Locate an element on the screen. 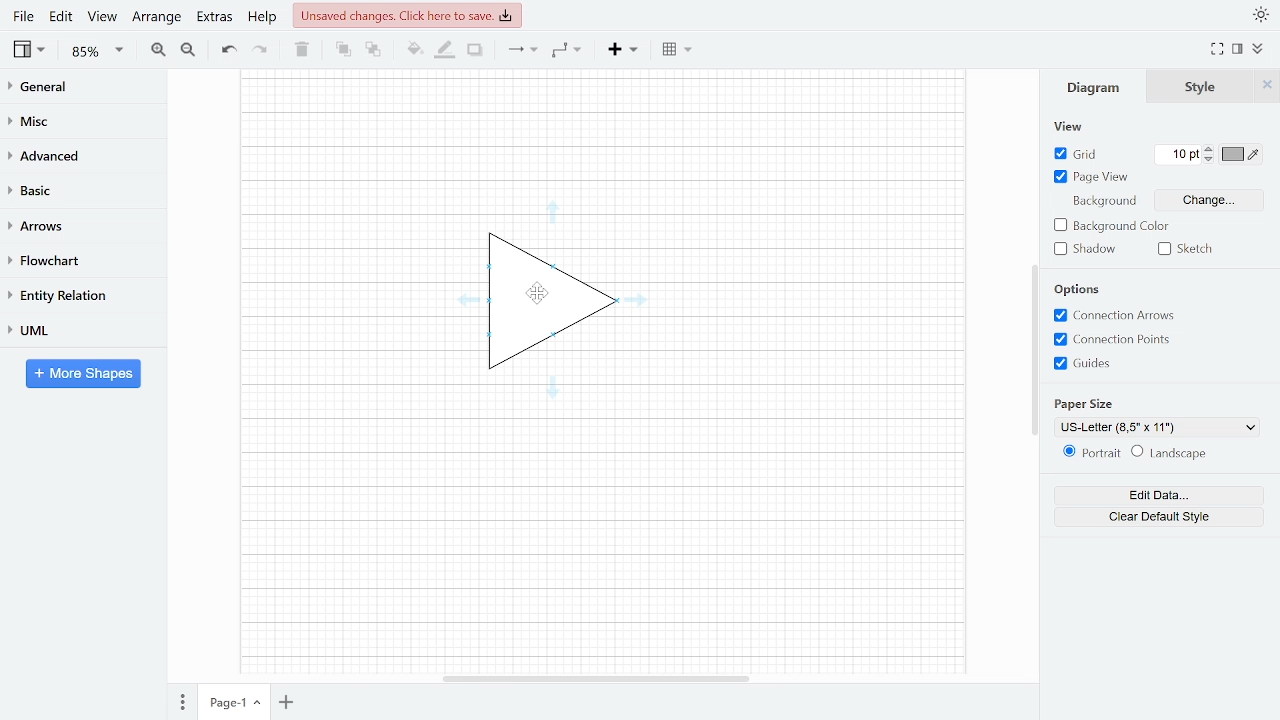  Theme is located at coordinates (1258, 13).